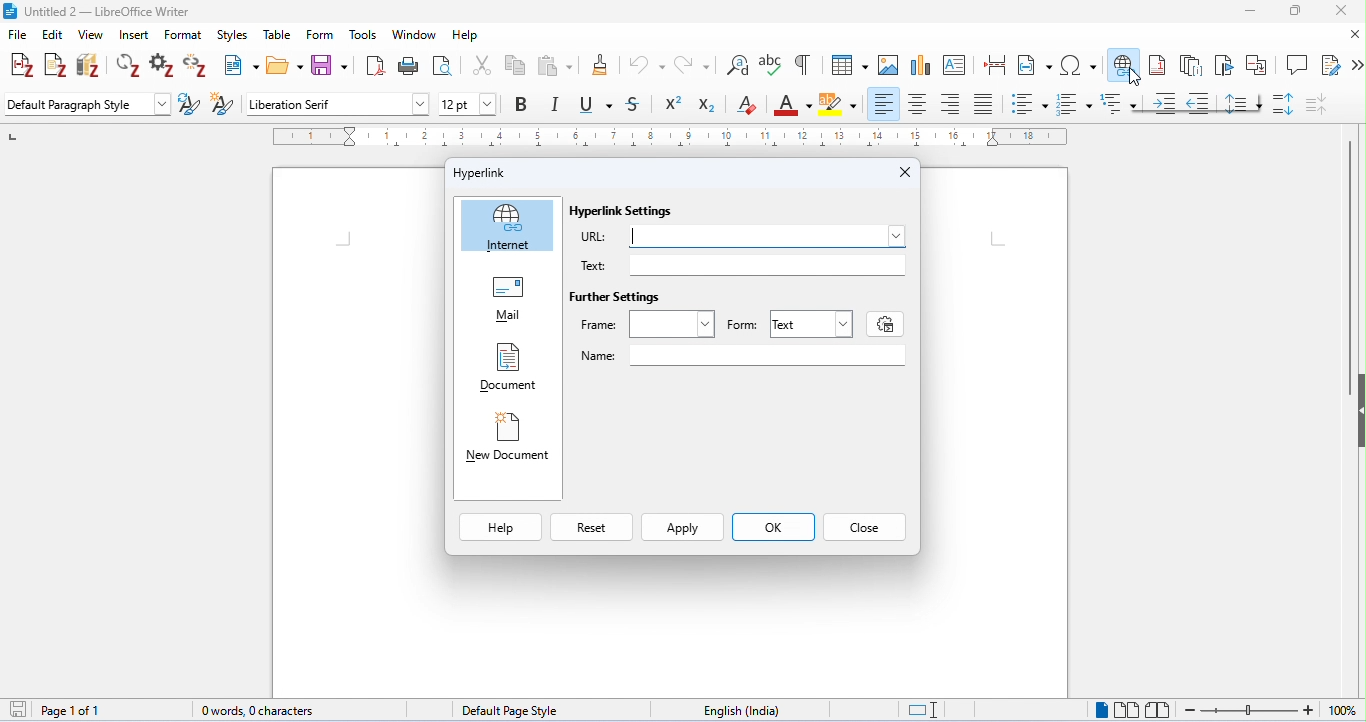 Image resolution: width=1366 pixels, height=722 pixels. What do you see at coordinates (598, 525) in the screenshot?
I see `Reset` at bounding box center [598, 525].